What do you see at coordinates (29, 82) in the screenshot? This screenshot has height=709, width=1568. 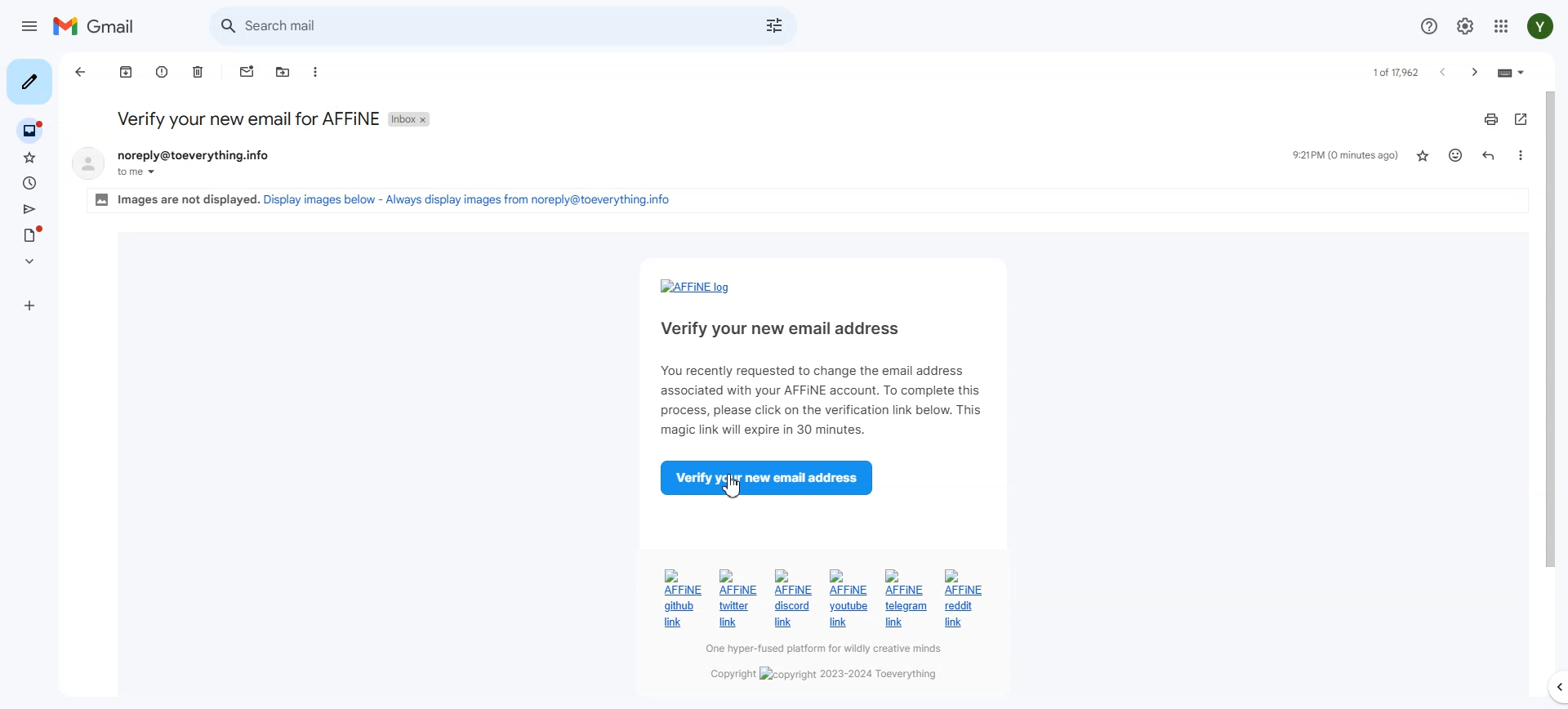 I see `Compose` at bounding box center [29, 82].